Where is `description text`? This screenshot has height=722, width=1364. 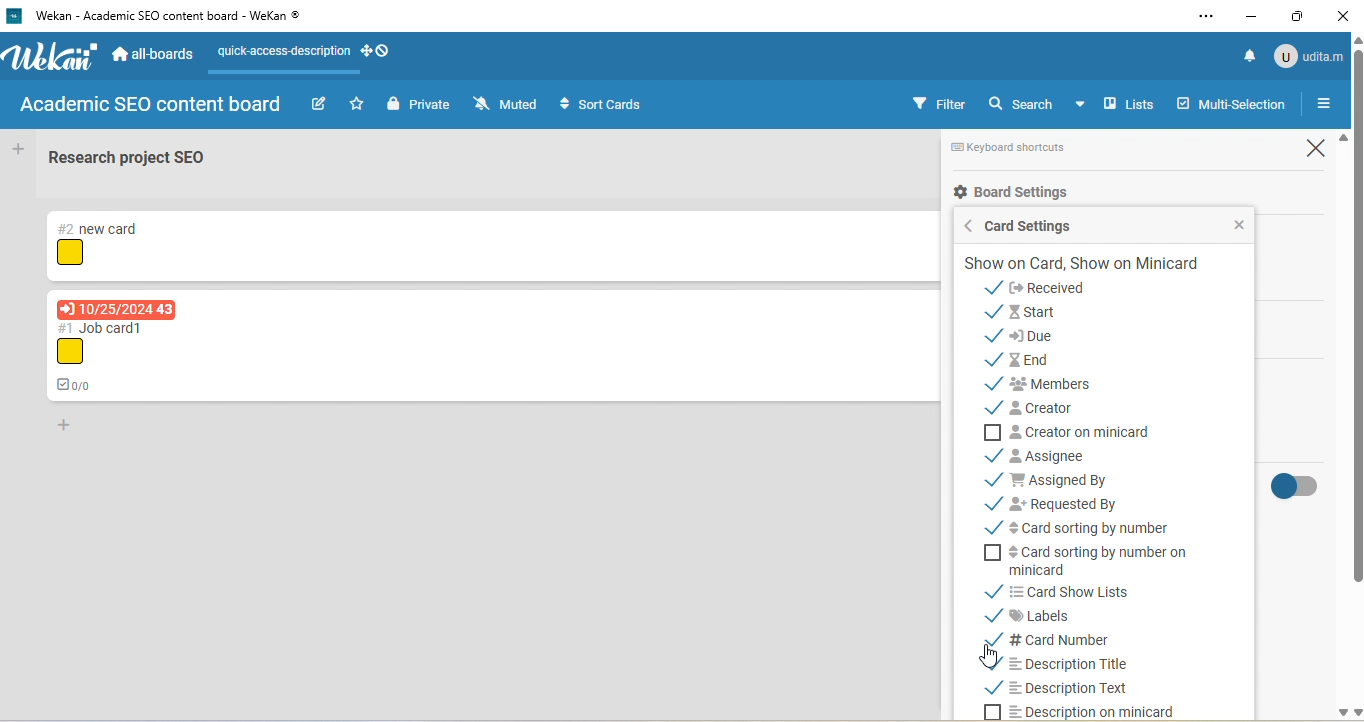 description text is located at coordinates (1072, 691).